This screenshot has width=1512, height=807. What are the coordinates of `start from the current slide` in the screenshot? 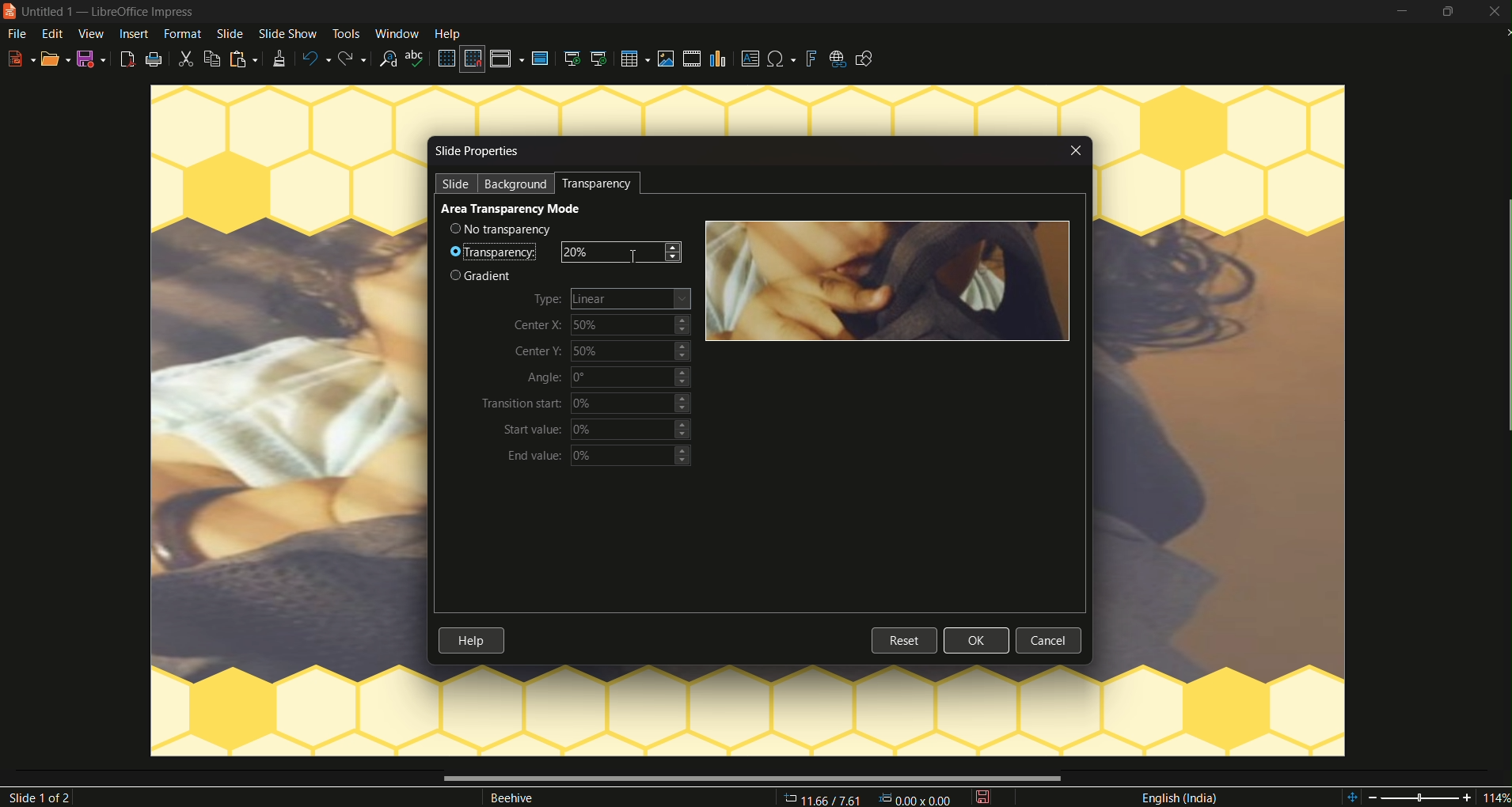 It's located at (602, 59).